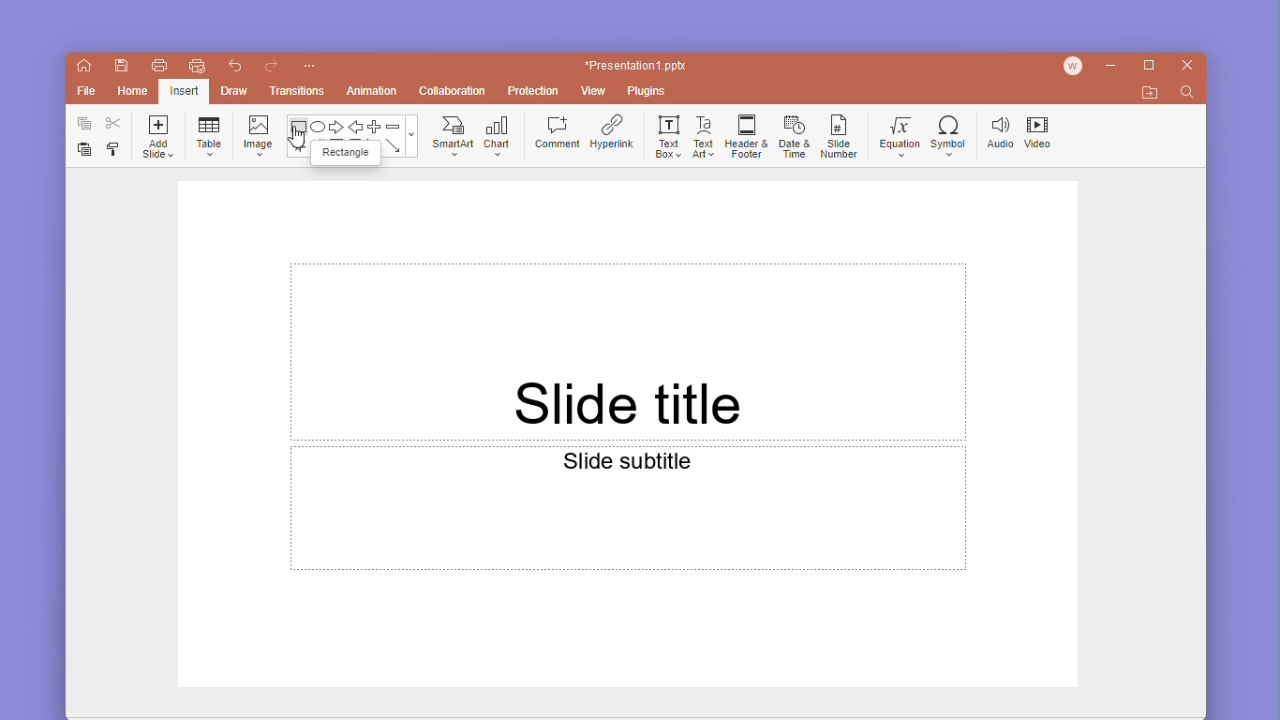  What do you see at coordinates (415, 135) in the screenshot?
I see `moreshapes` at bounding box center [415, 135].